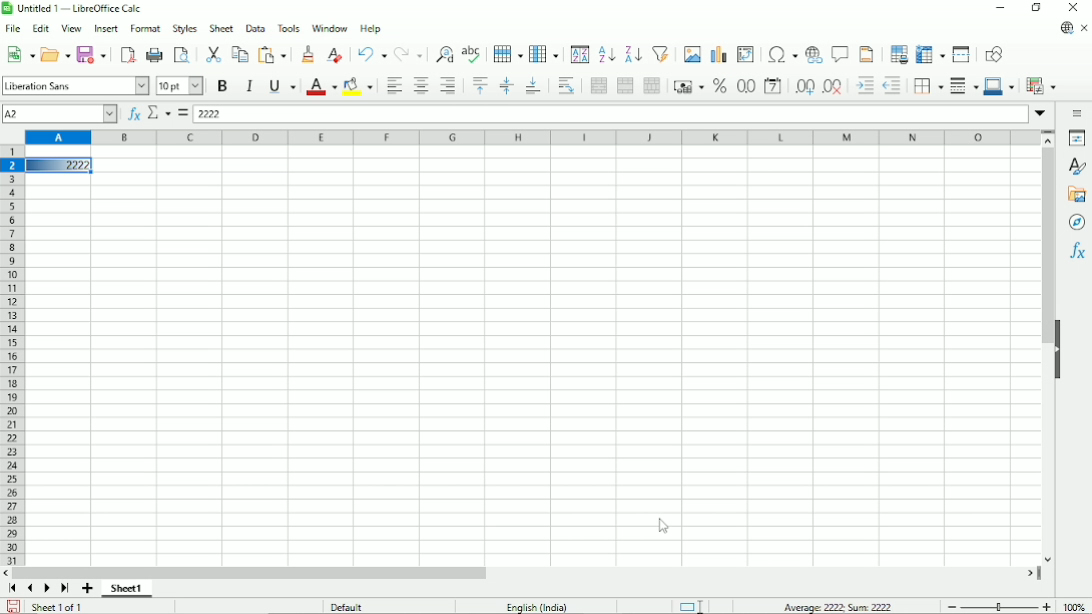  What do you see at coordinates (441, 55) in the screenshot?
I see `Find and replace` at bounding box center [441, 55].